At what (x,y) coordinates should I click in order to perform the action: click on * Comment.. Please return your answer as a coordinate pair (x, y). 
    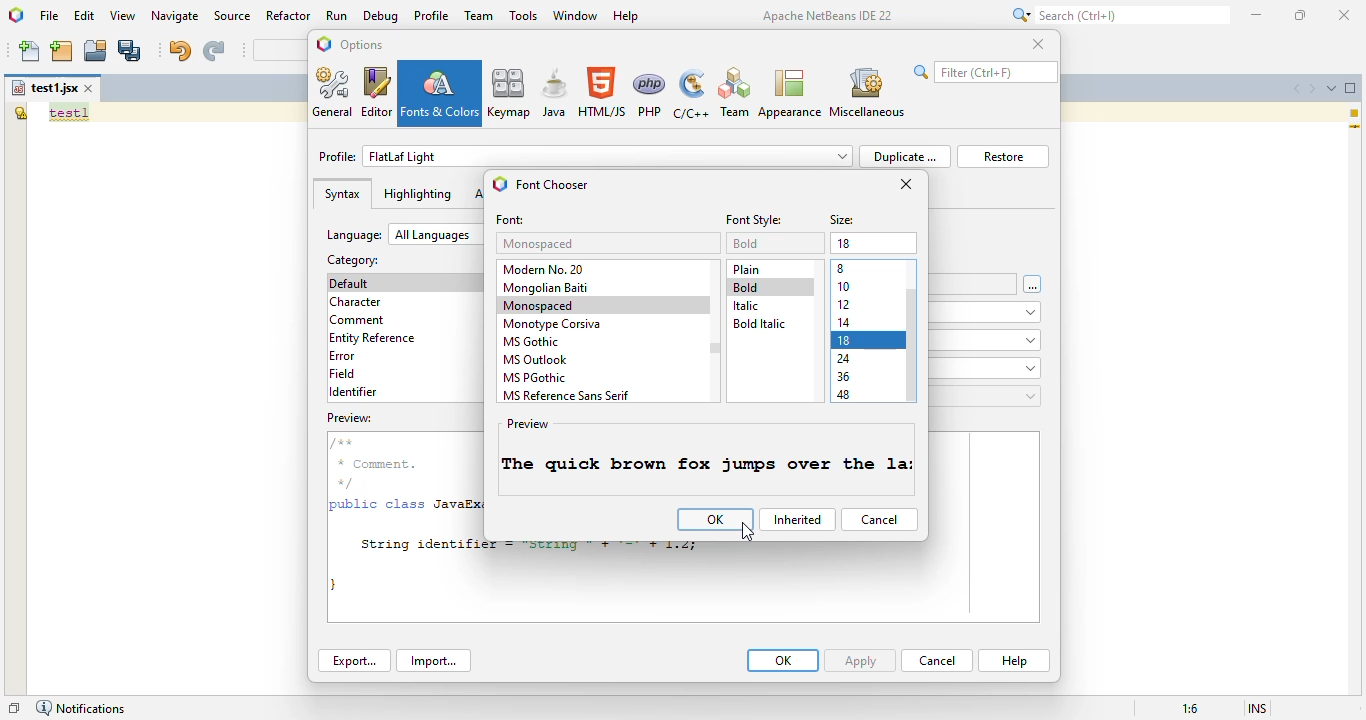
    Looking at the image, I should click on (376, 464).